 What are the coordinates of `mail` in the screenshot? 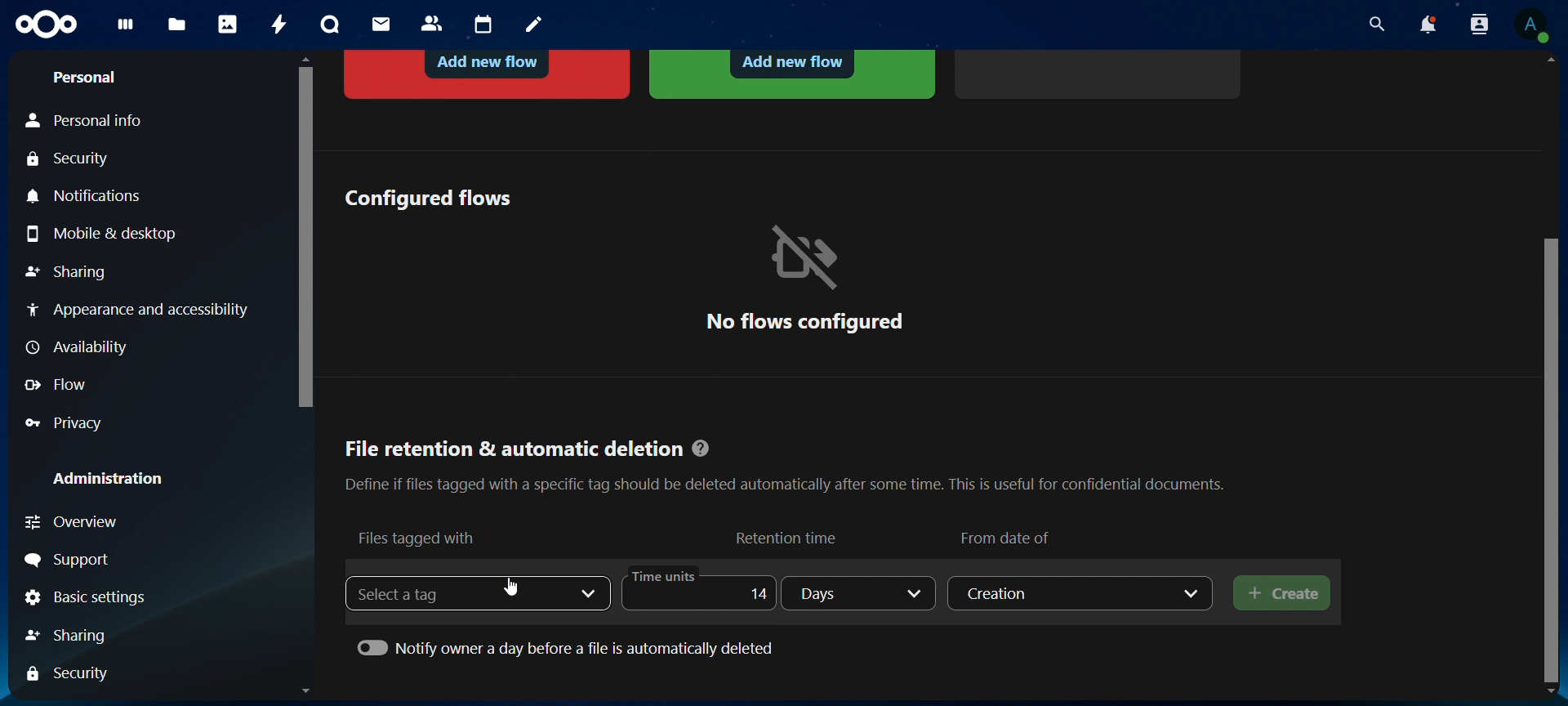 It's located at (383, 24).